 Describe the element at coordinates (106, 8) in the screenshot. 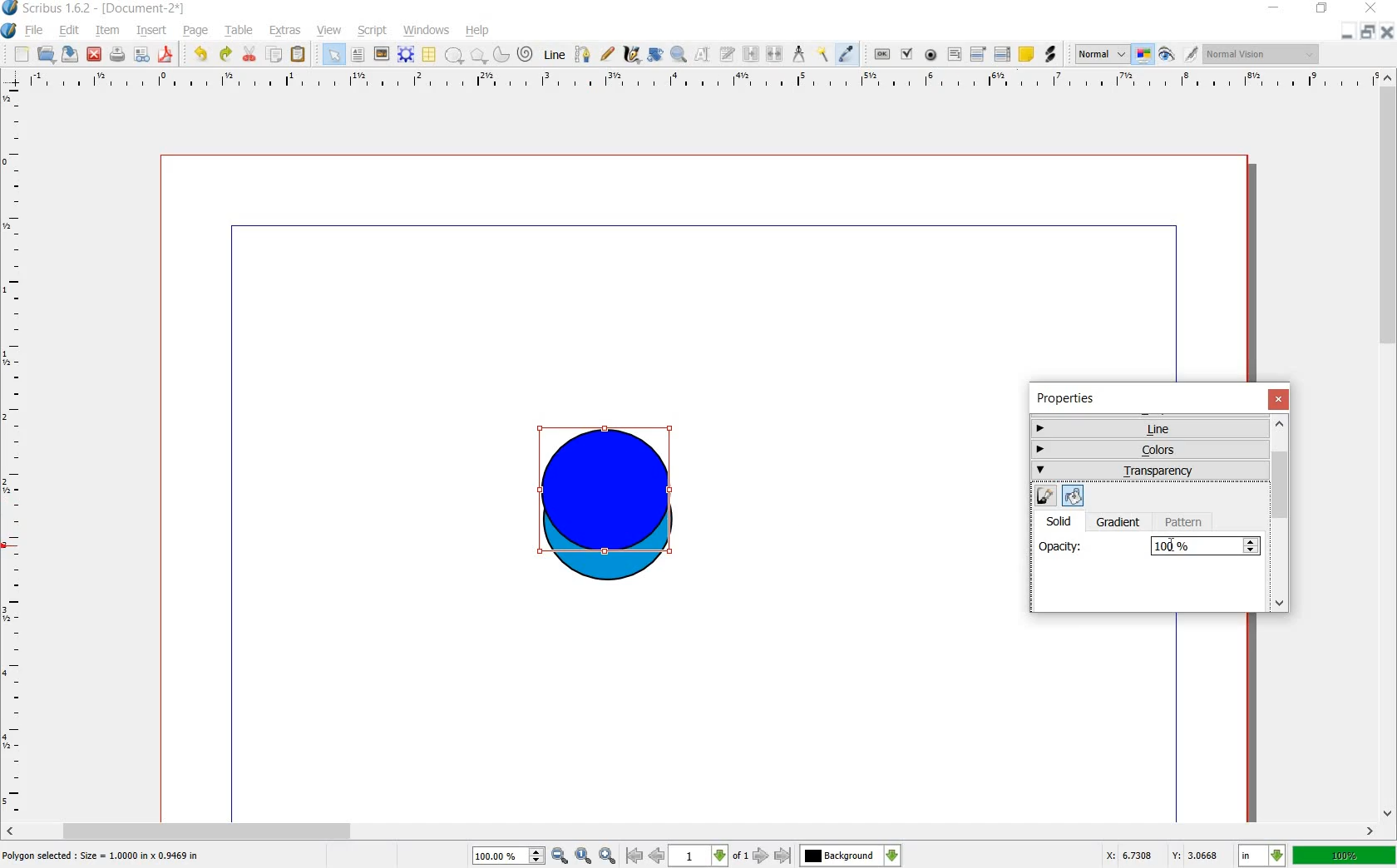

I see `scribus 1.6.2 - [document-2*]` at that location.